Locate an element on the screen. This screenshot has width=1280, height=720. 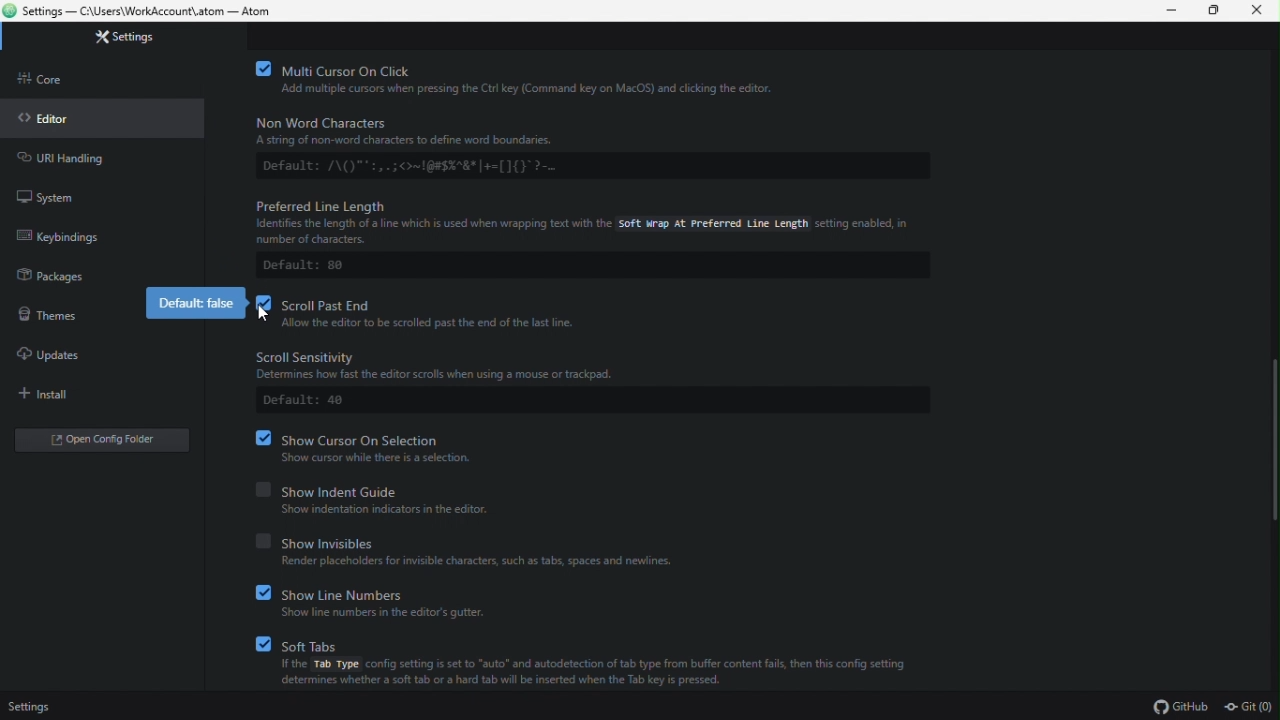
Render placeholders for invisible characters, such as tbs, spaces and newlines. is located at coordinates (477, 562).